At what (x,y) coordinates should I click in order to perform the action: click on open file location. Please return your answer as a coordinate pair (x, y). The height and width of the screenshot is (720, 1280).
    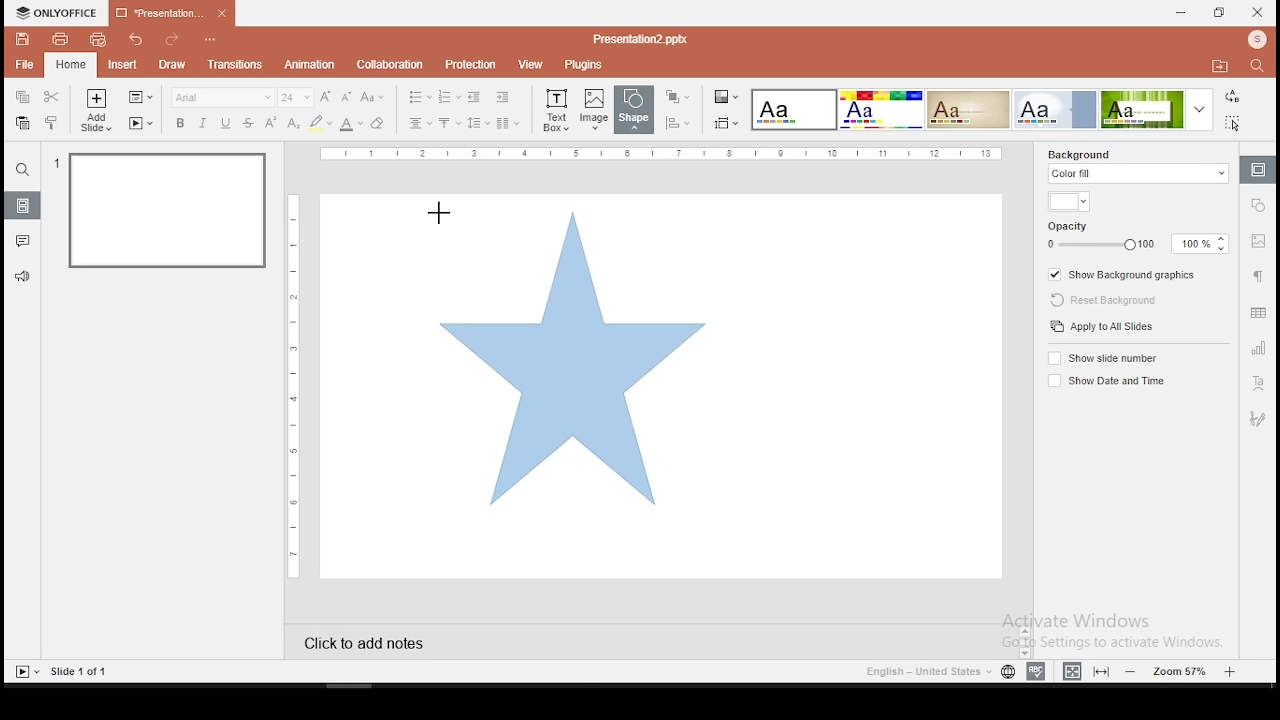
    Looking at the image, I should click on (1219, 67).